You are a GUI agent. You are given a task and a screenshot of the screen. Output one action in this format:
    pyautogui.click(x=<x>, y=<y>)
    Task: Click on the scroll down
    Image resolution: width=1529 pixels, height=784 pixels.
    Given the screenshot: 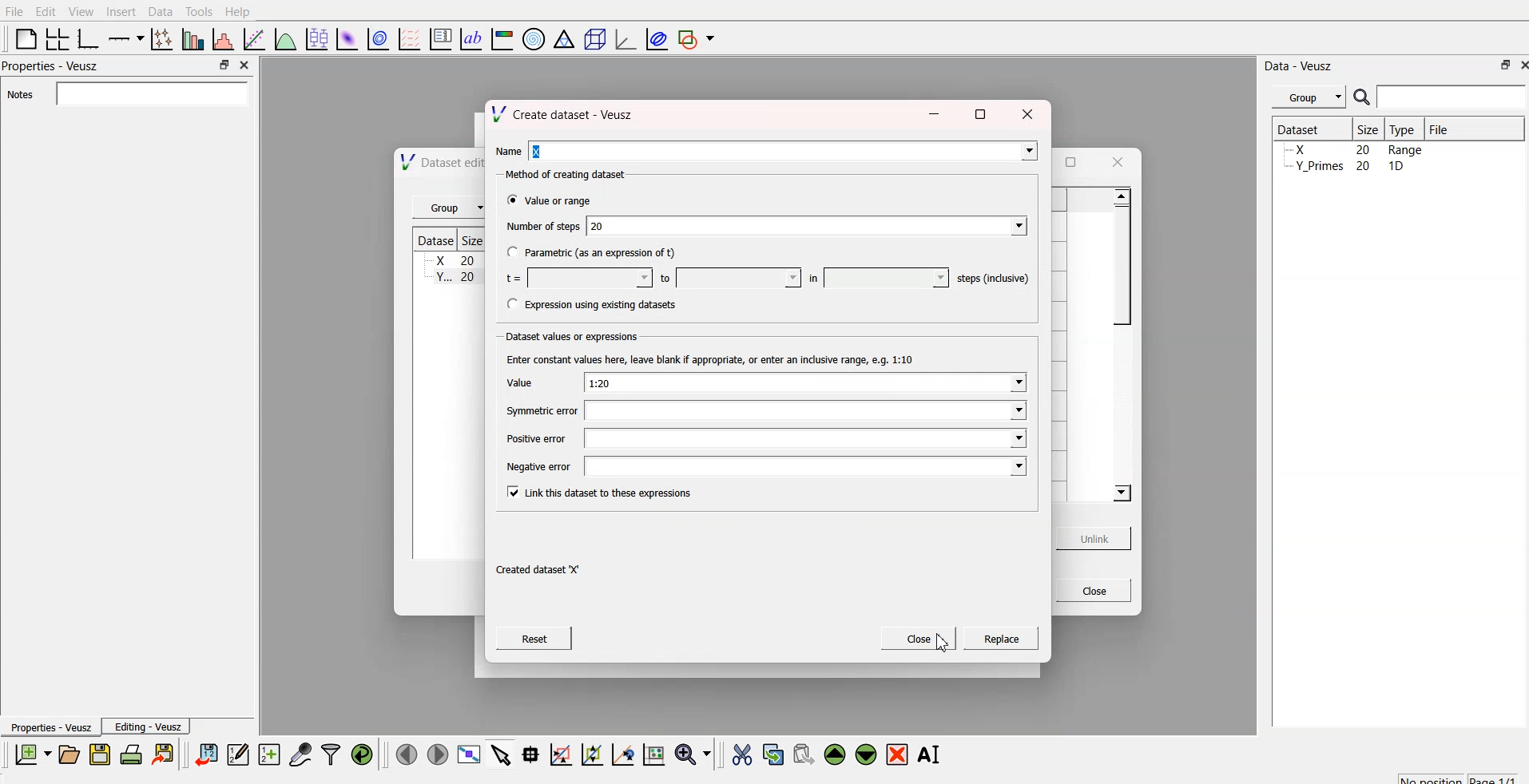 What is the action you would take?
    pyautogui.click(x=1117, y=493)
    